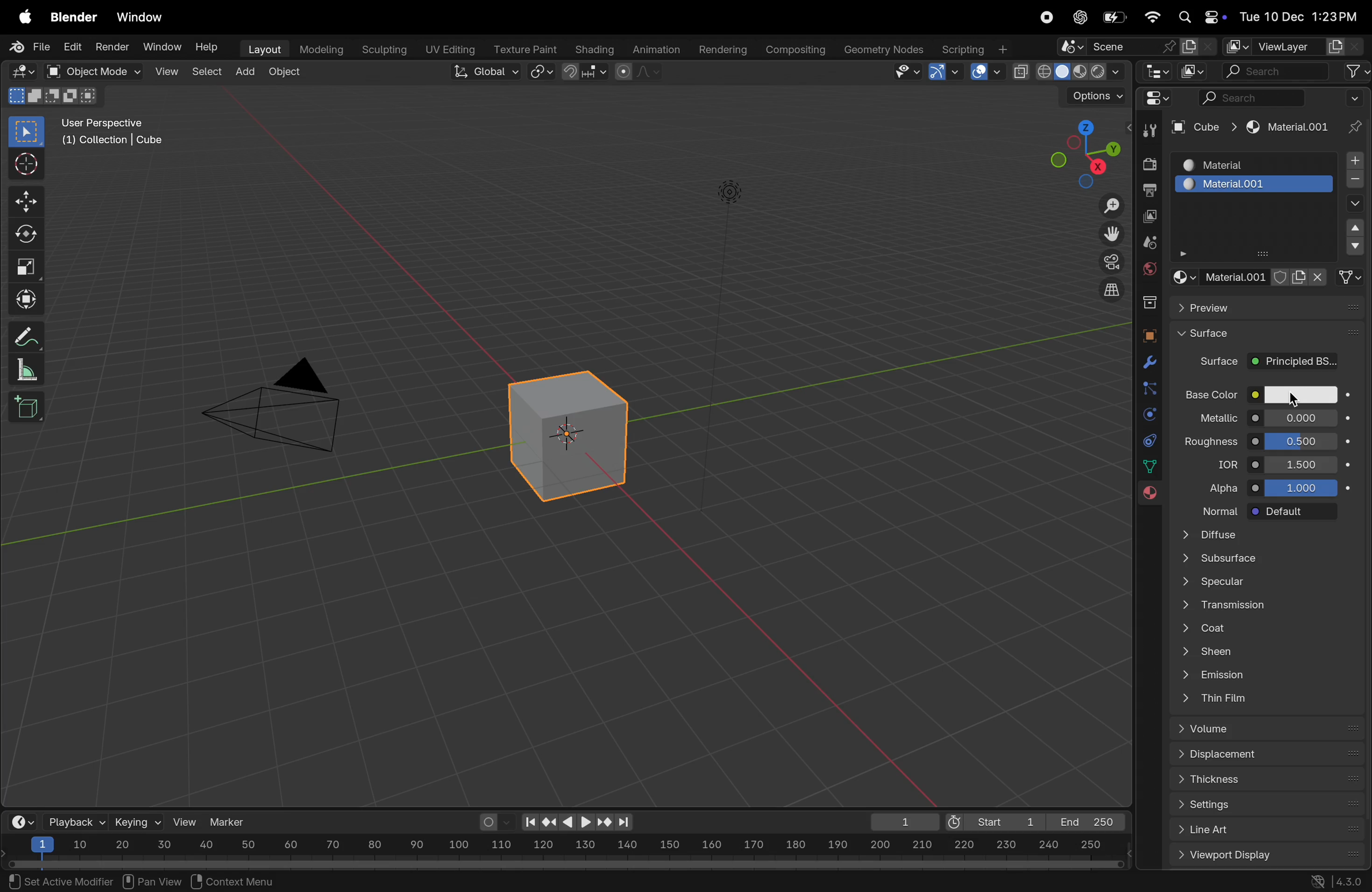 The image size is (1372, 892). What do you see at coordinates (1068, 69) in the screenshot?
I see `viewport shading` at bounding box center [1068, 69].